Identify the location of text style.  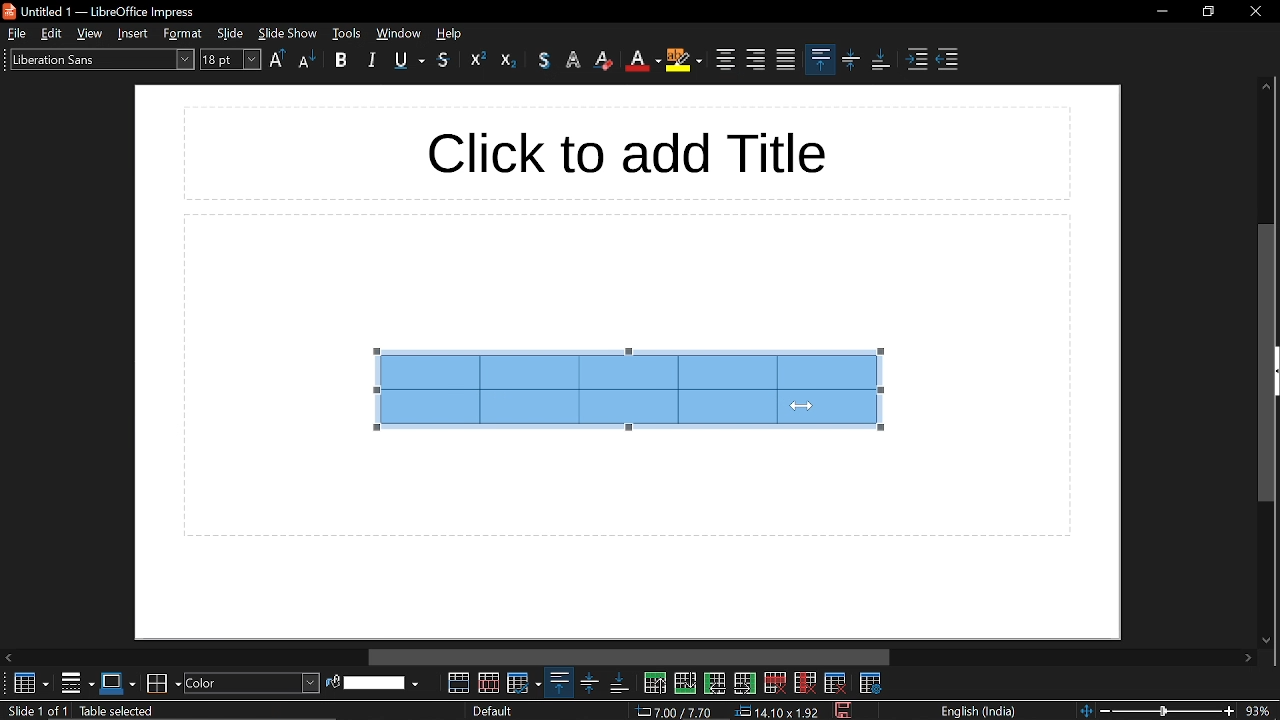
(102, 58).